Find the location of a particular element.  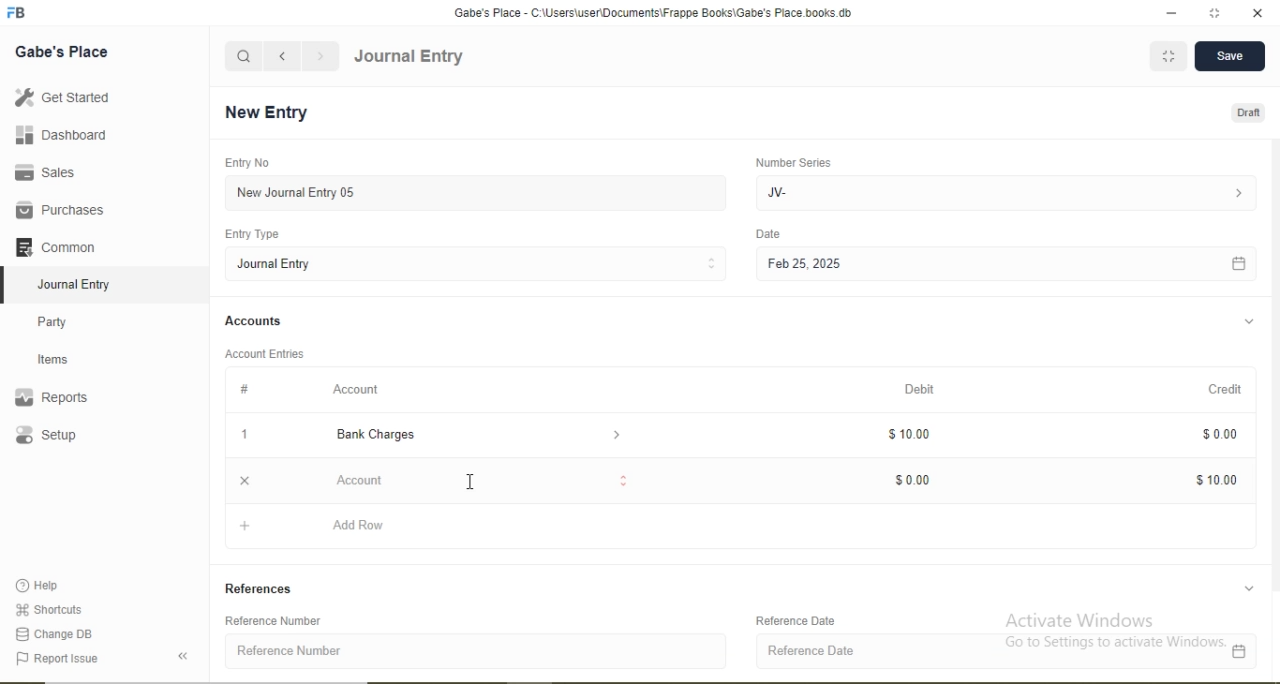

$10.00 is located at coordinates (910, 434).